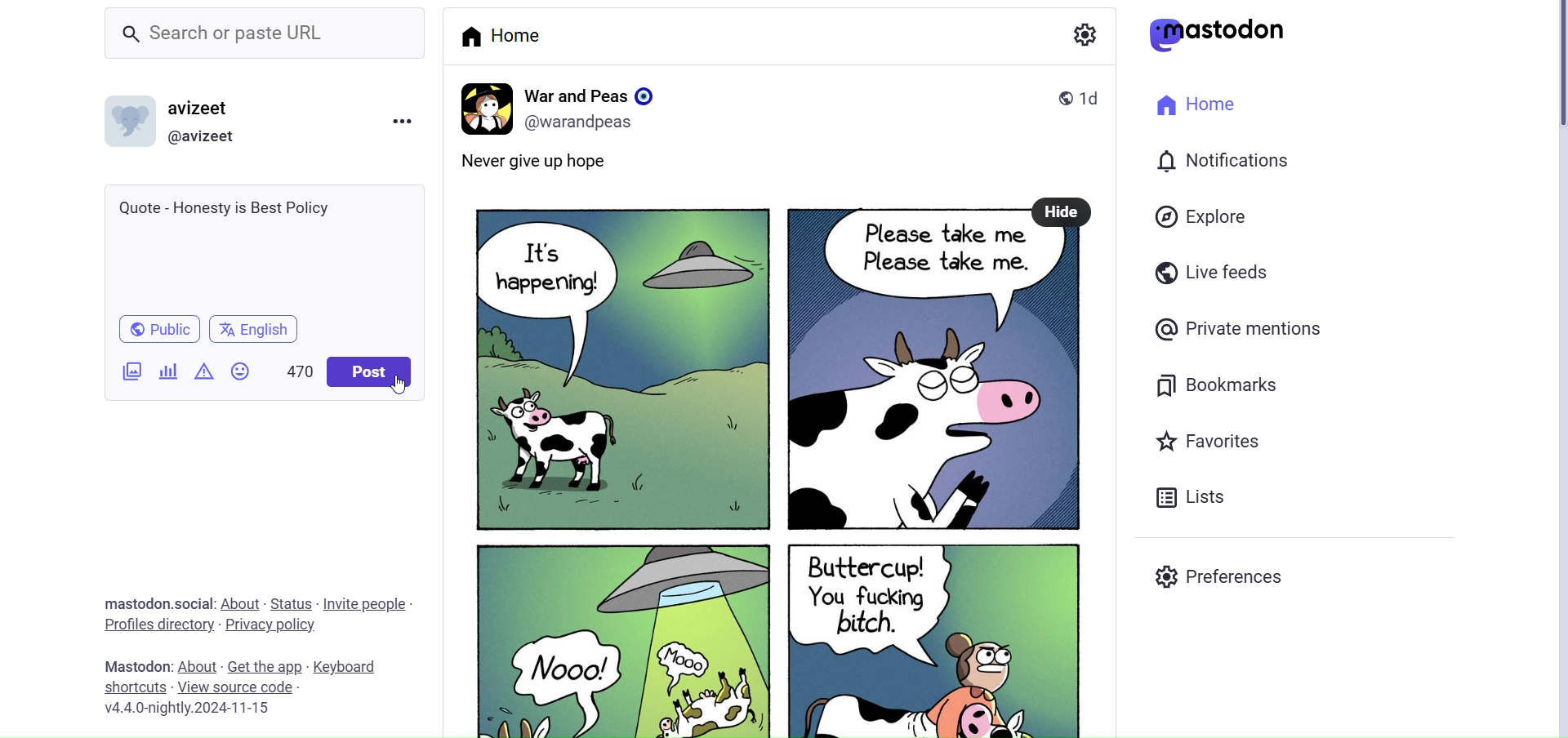 Image resolution: width=1568 pixels, height=738 pixels. What do you see at coordinates (503, 35) in the screenshot?
I see `Home` at bounding box center [503, 35].